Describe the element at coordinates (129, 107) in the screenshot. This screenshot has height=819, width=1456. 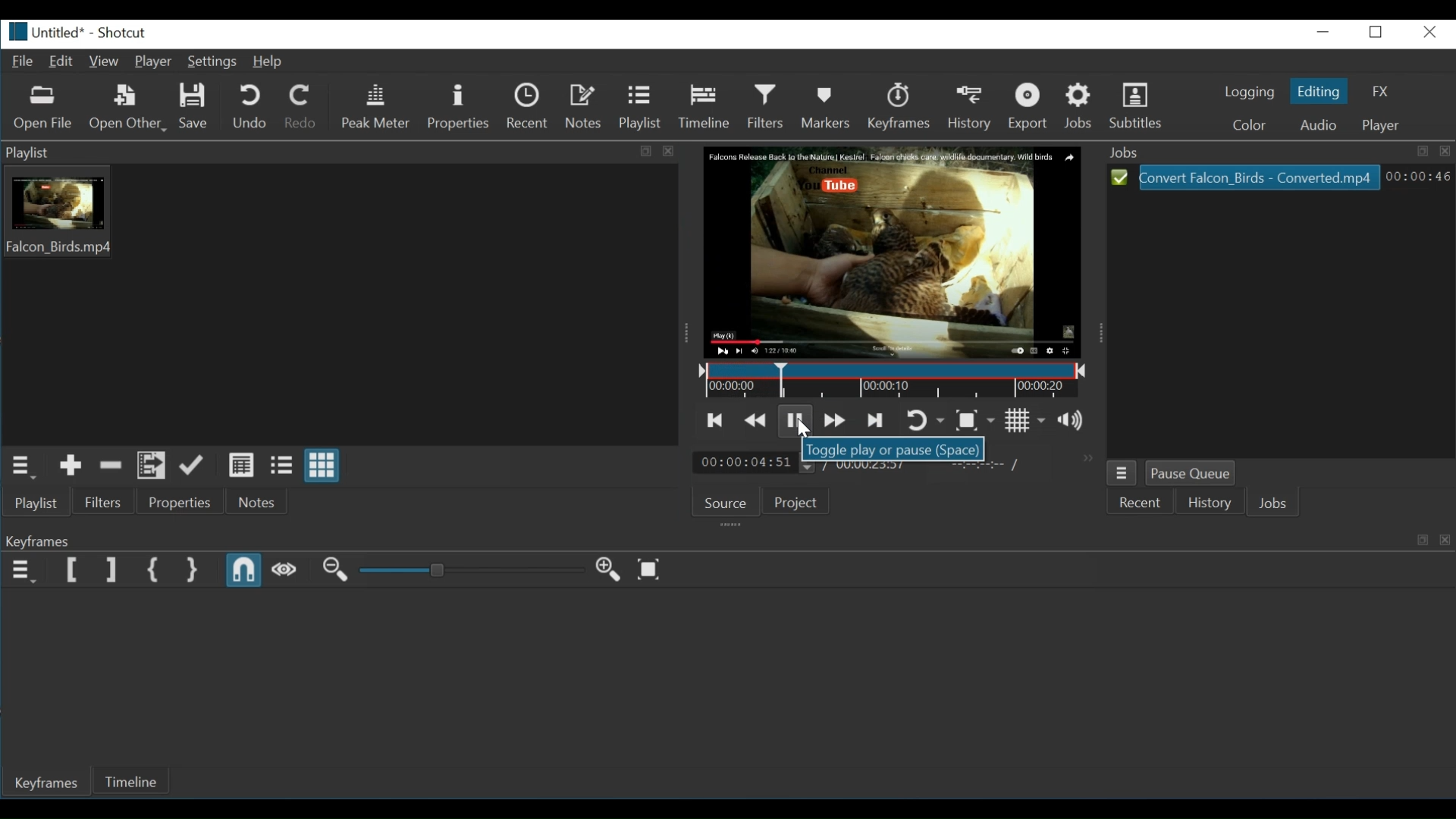
I see `Open Other` at that location.